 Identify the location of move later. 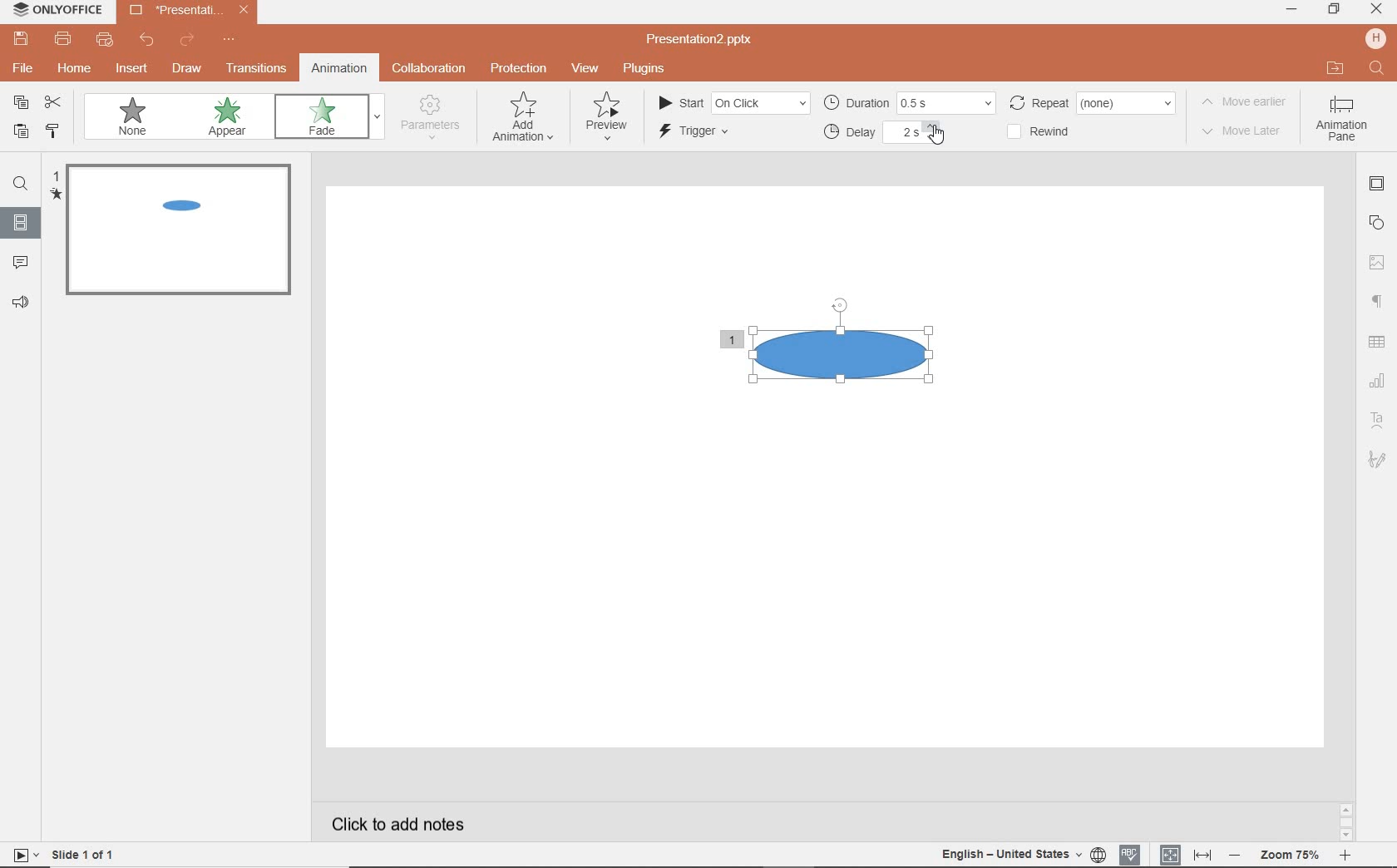
(1247, 131).